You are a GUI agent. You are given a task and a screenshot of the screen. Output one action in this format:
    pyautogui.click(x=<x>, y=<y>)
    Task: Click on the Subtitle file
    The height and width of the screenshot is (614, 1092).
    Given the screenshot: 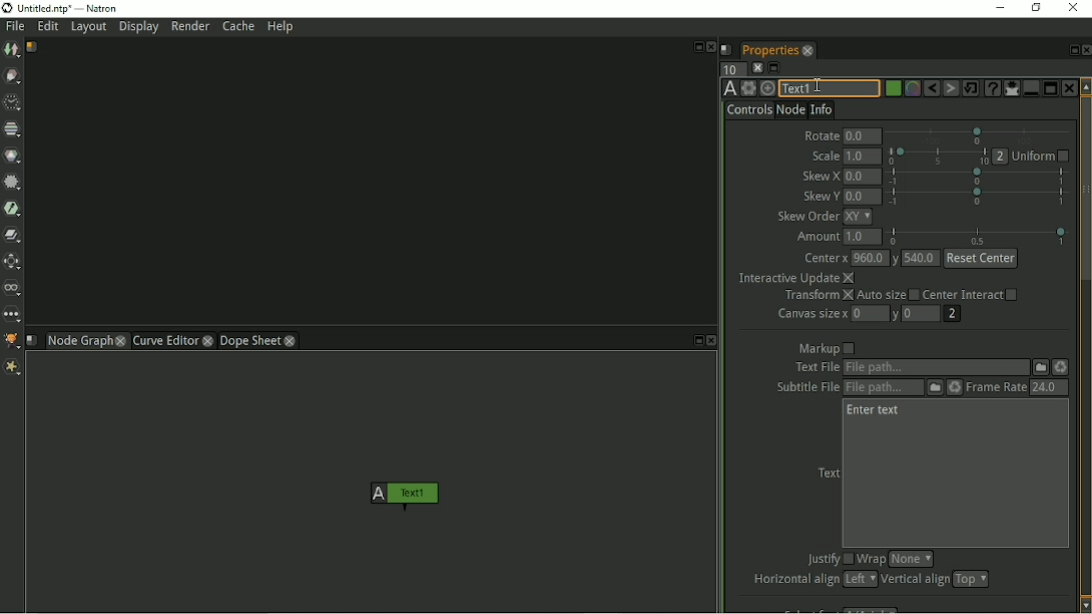 What is the action you would take?
    pyautogui.click(x=803, y=388)
    